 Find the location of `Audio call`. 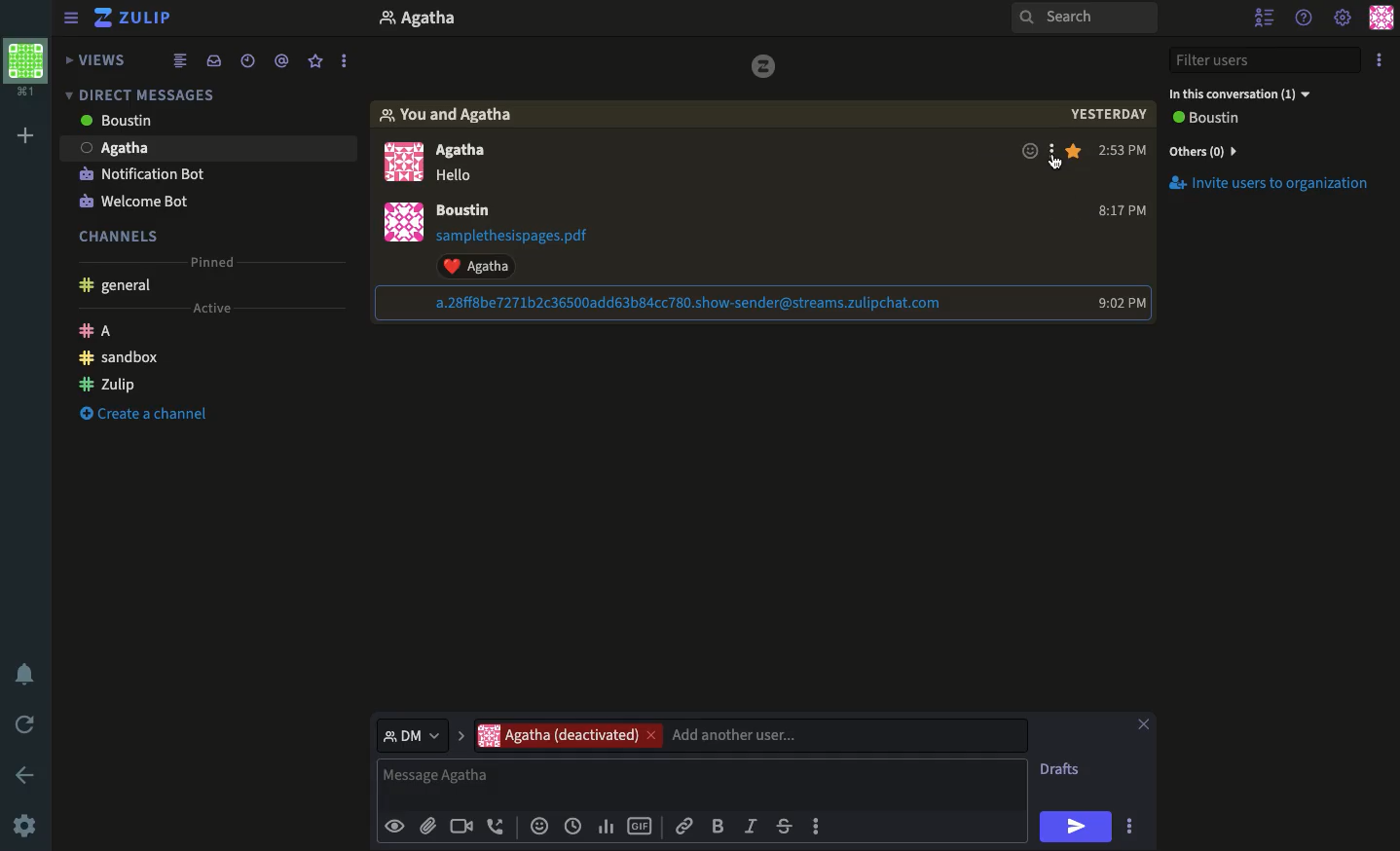

Audio call is located at coordinates (497, 828).